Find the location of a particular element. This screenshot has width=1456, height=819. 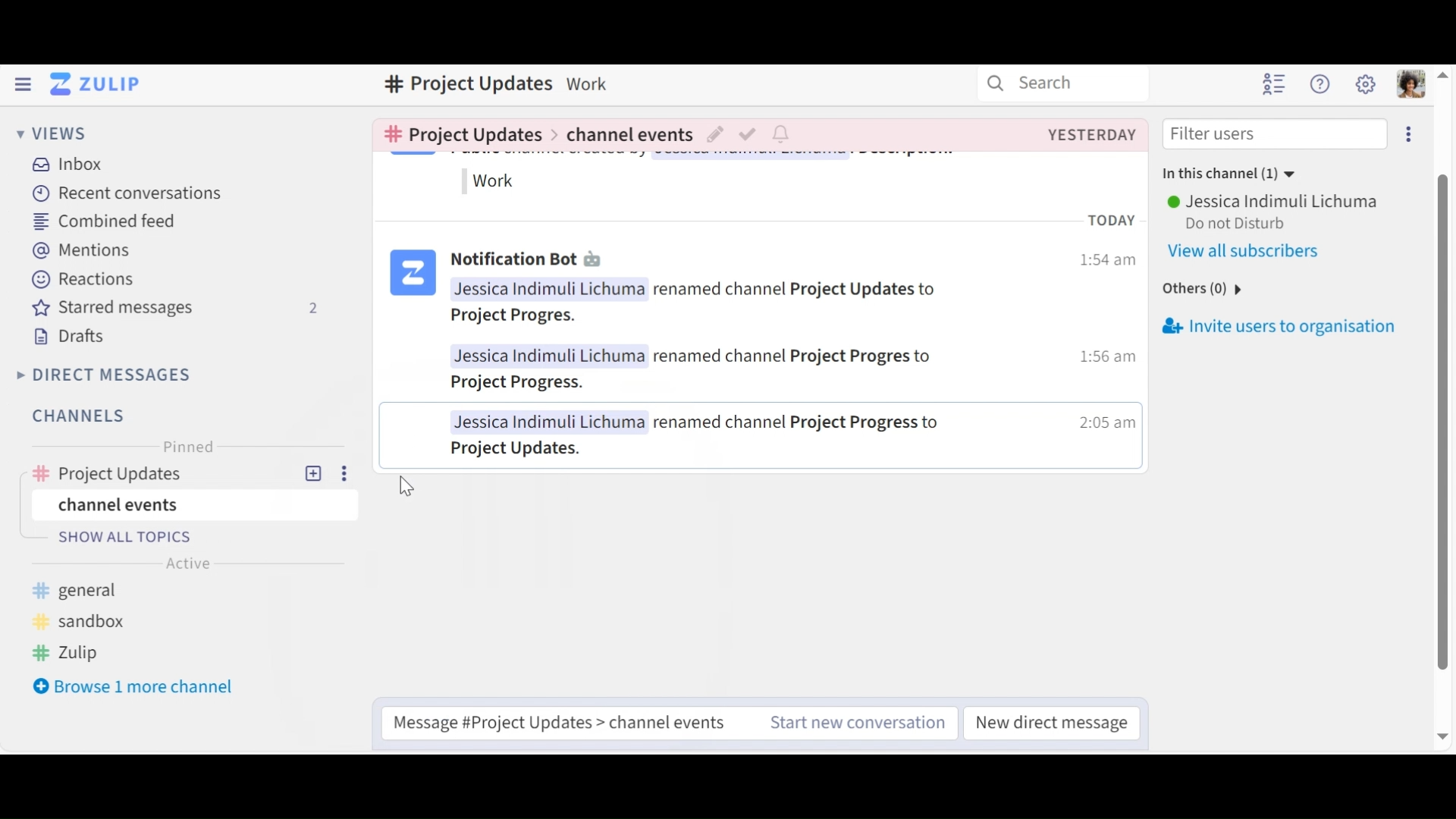

View all users is located at coordinates (1254, 251).